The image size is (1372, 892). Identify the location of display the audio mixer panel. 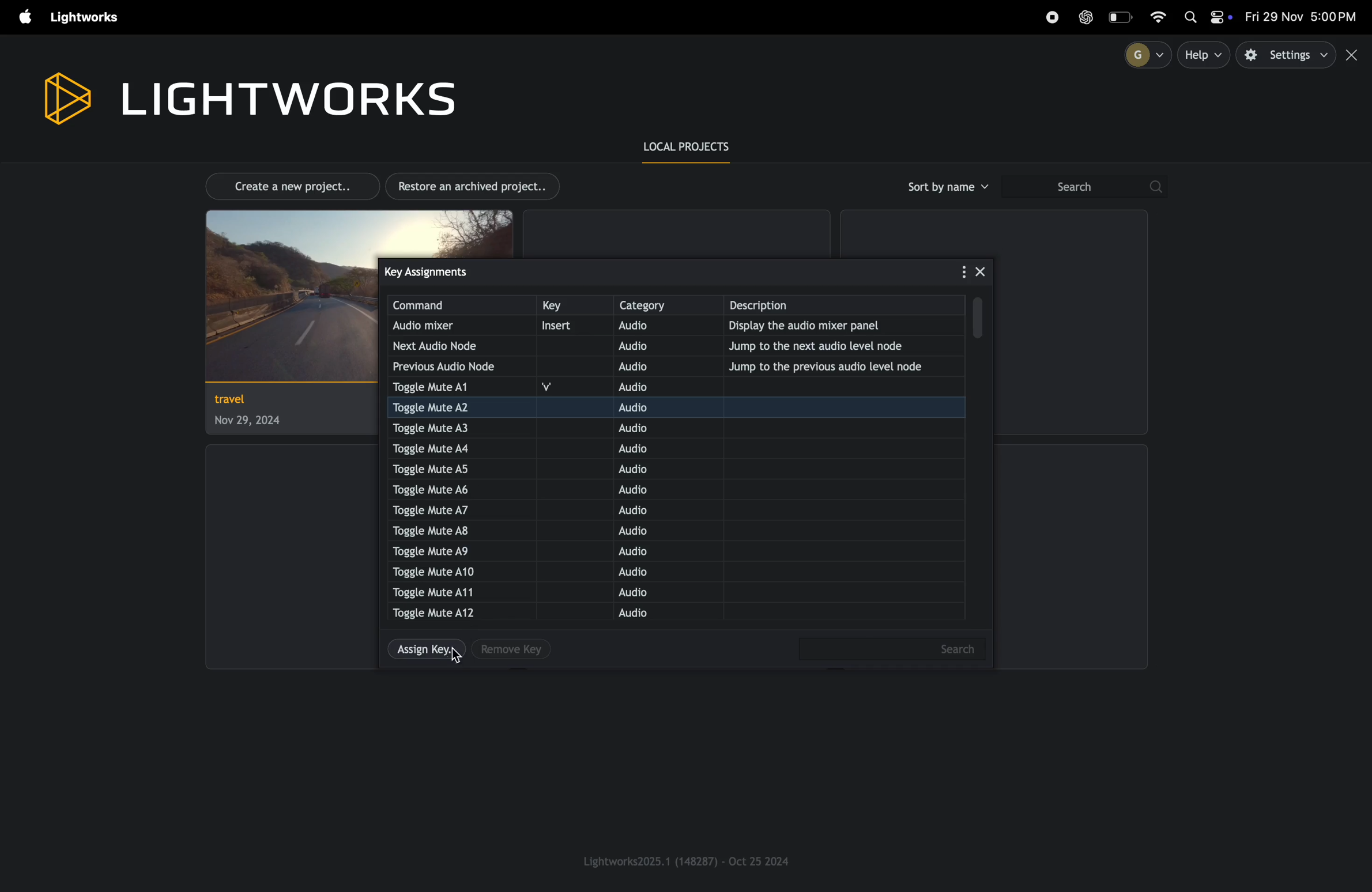
(836, 327).